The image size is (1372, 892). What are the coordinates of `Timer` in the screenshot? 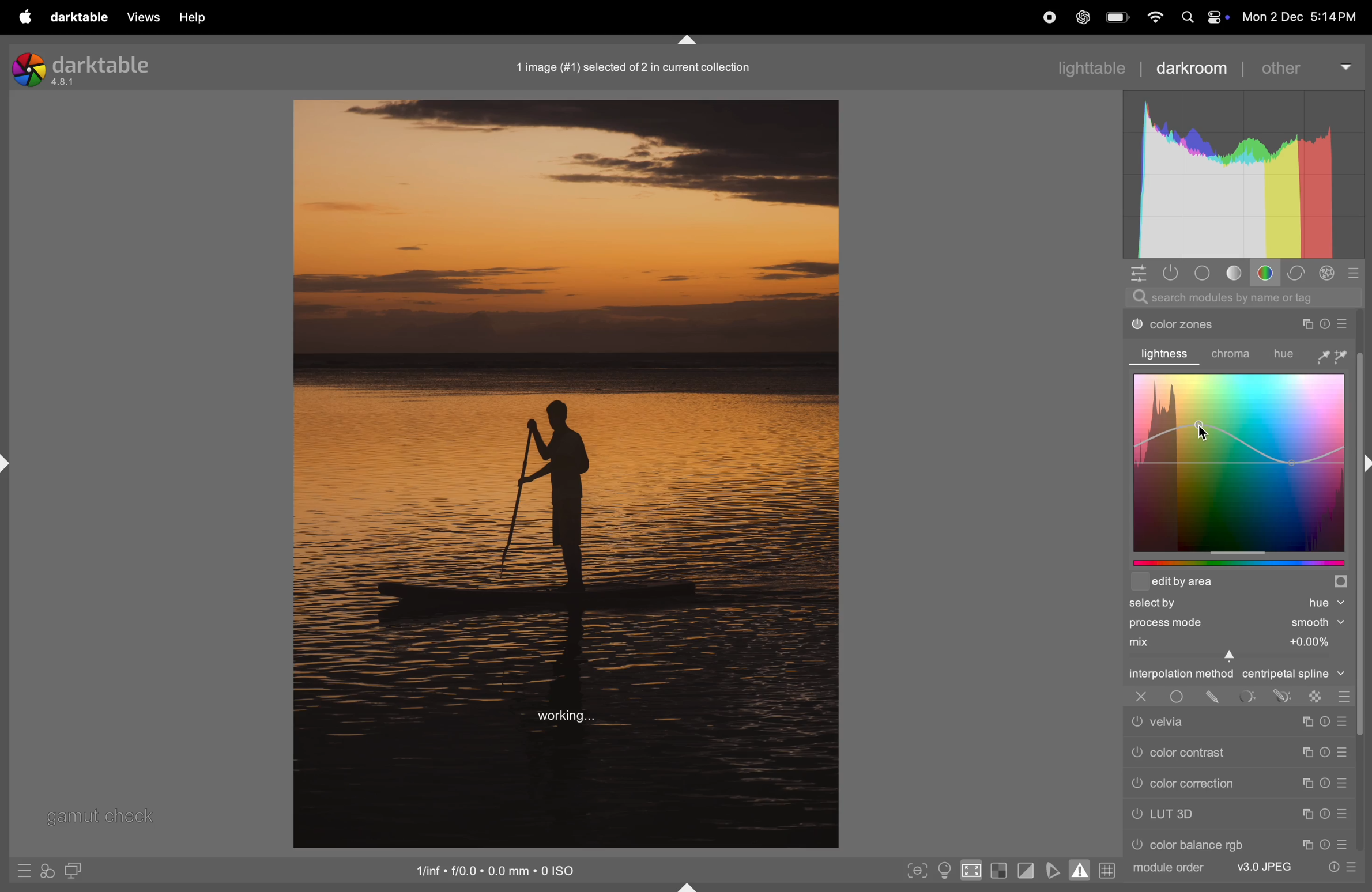 It's located at (1324, 782).